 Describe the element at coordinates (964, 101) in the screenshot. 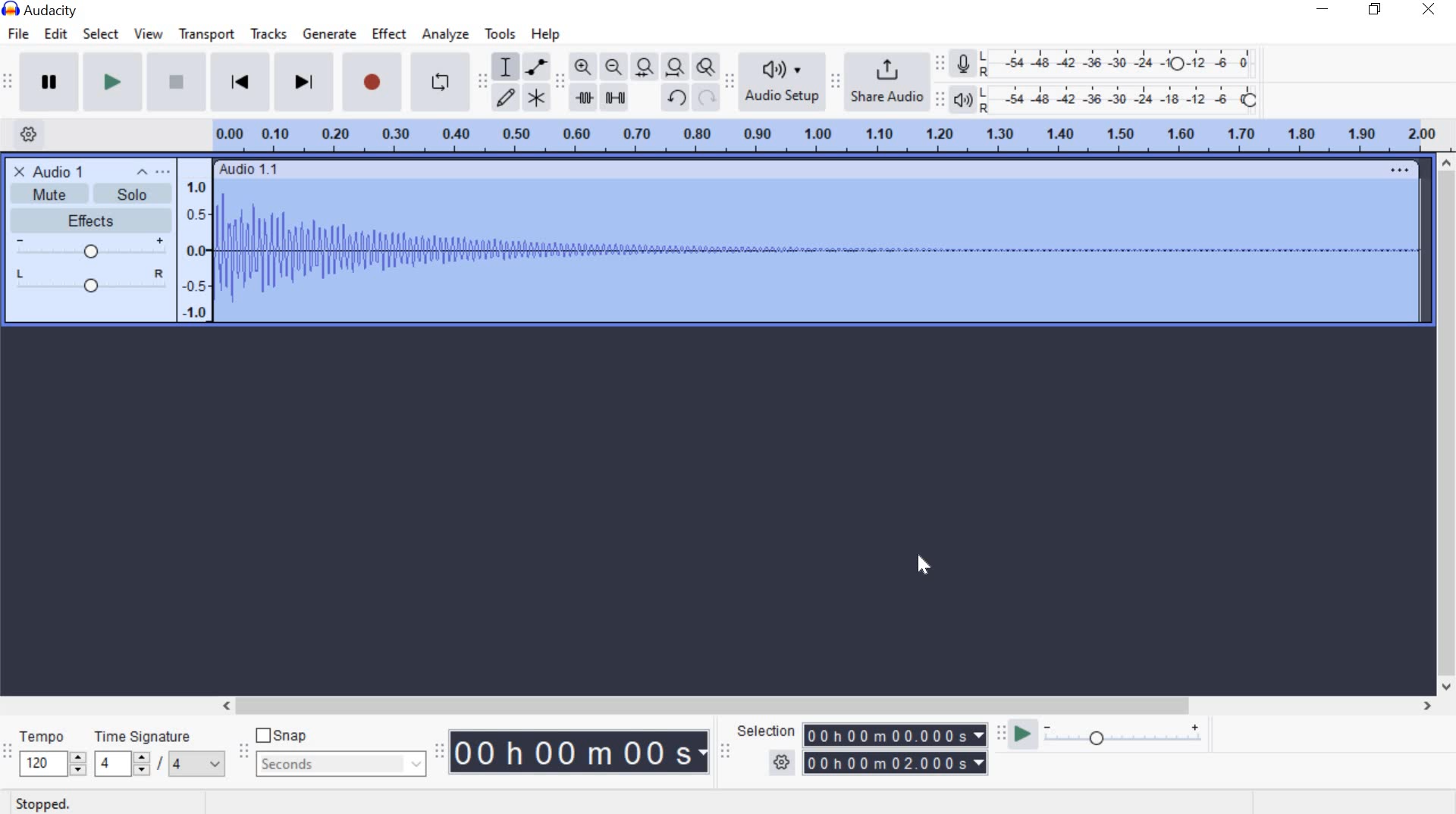

I see `Playback meter` at that location.